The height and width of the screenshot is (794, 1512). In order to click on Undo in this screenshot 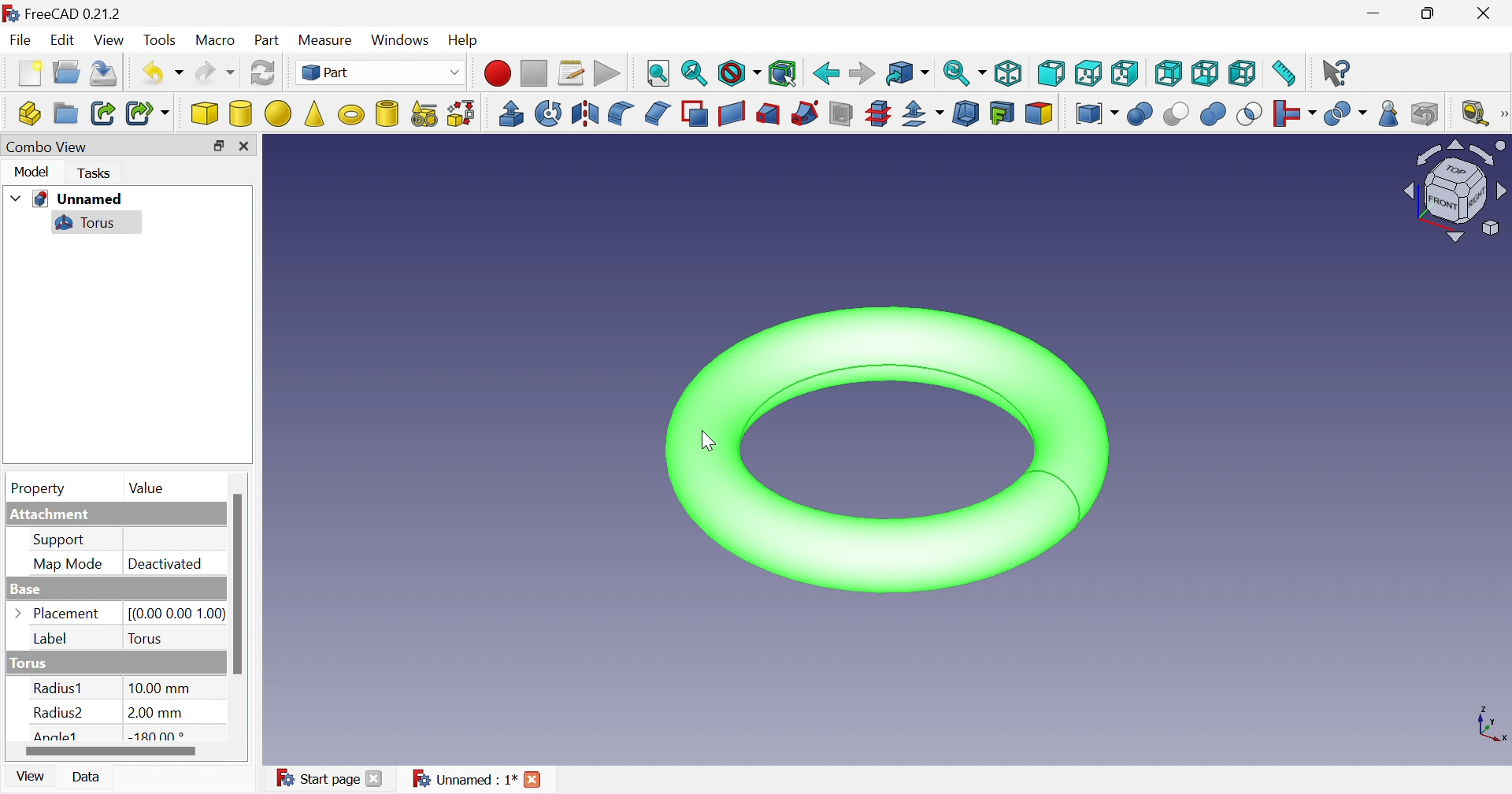, I will do `click(164, 73)`.